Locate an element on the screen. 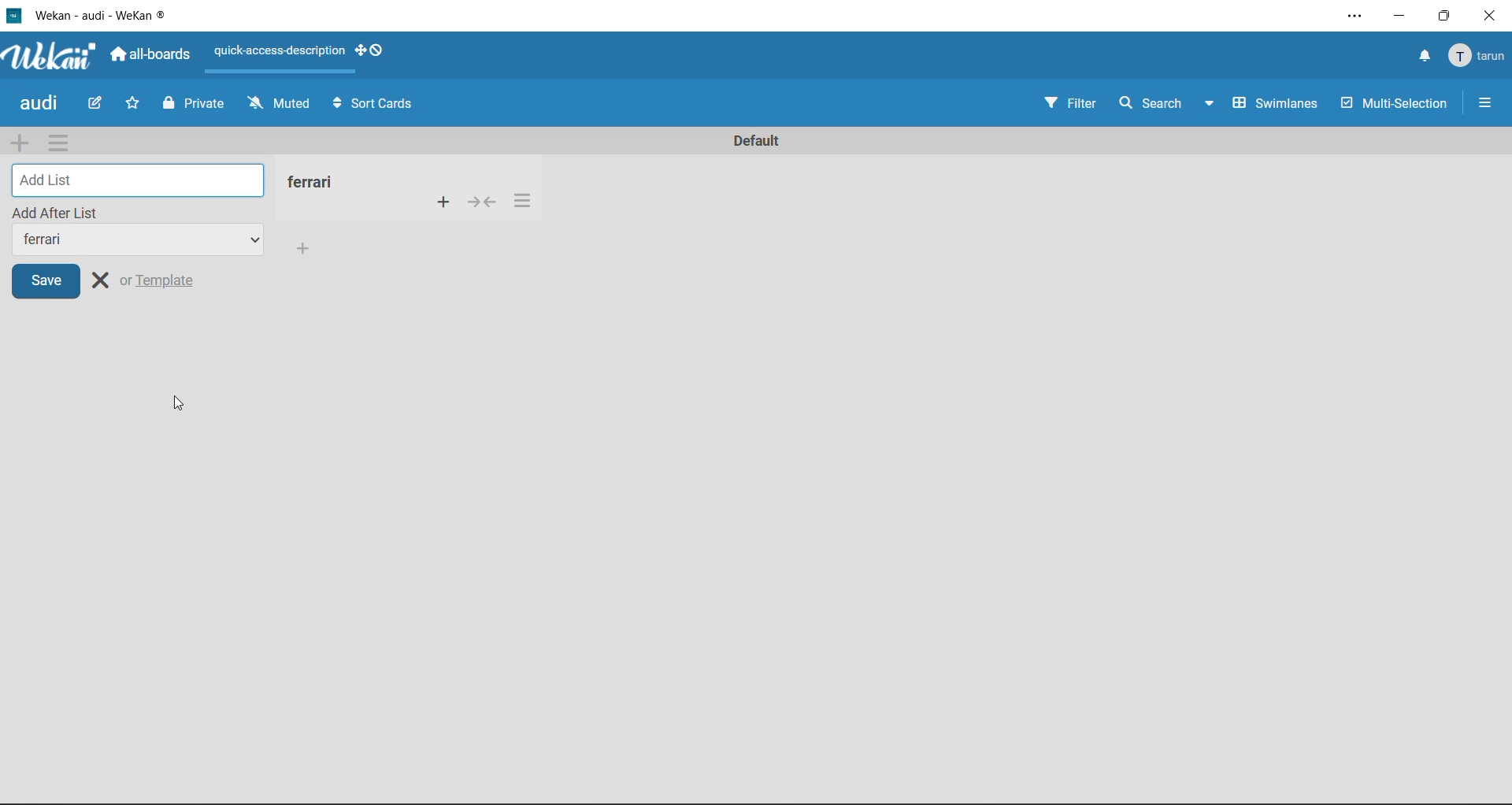 This screenshot has height=805, width=1512. close is located at coordinates (1492, 17).